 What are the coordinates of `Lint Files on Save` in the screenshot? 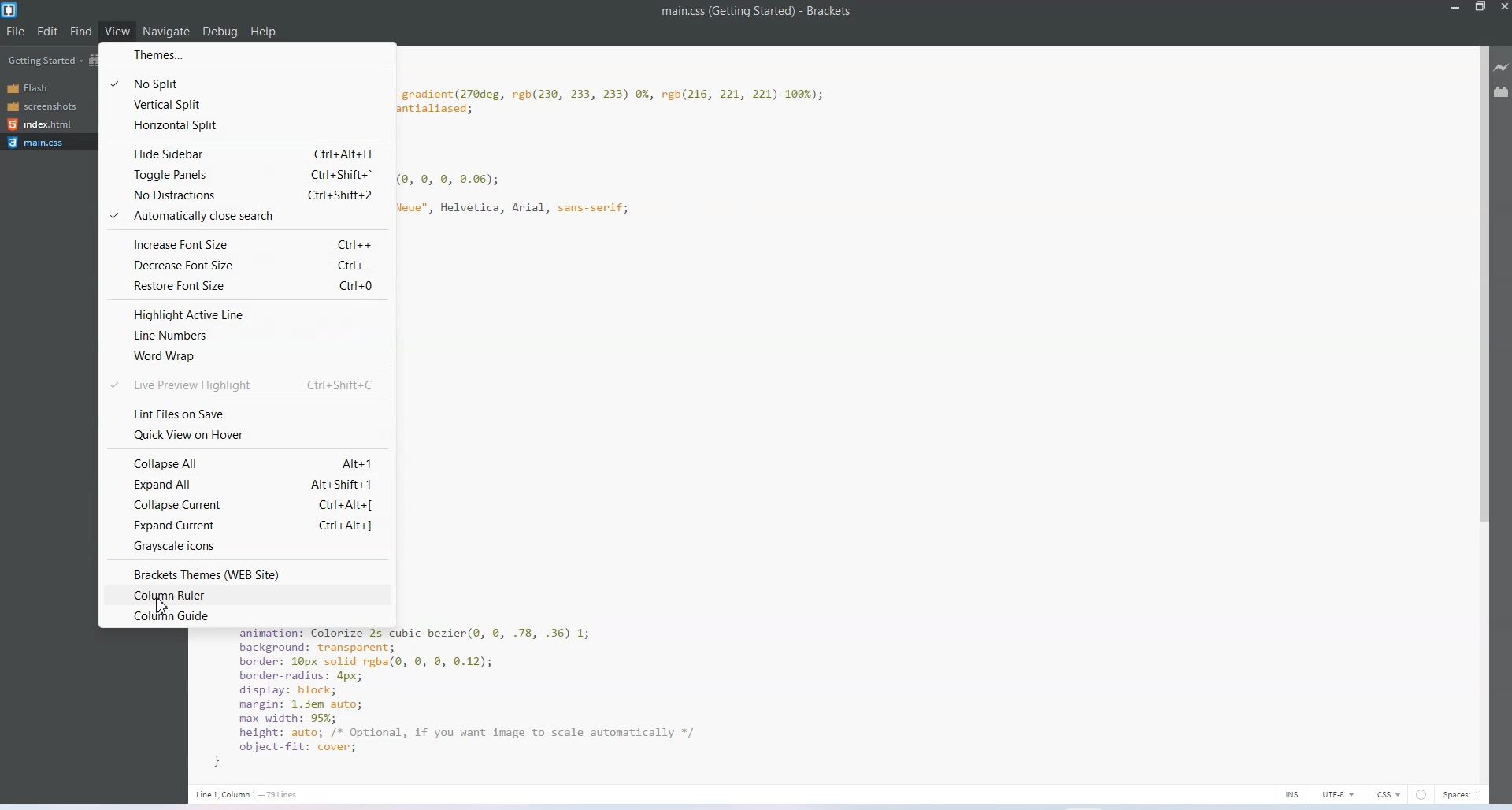 It's located at (247, 411).